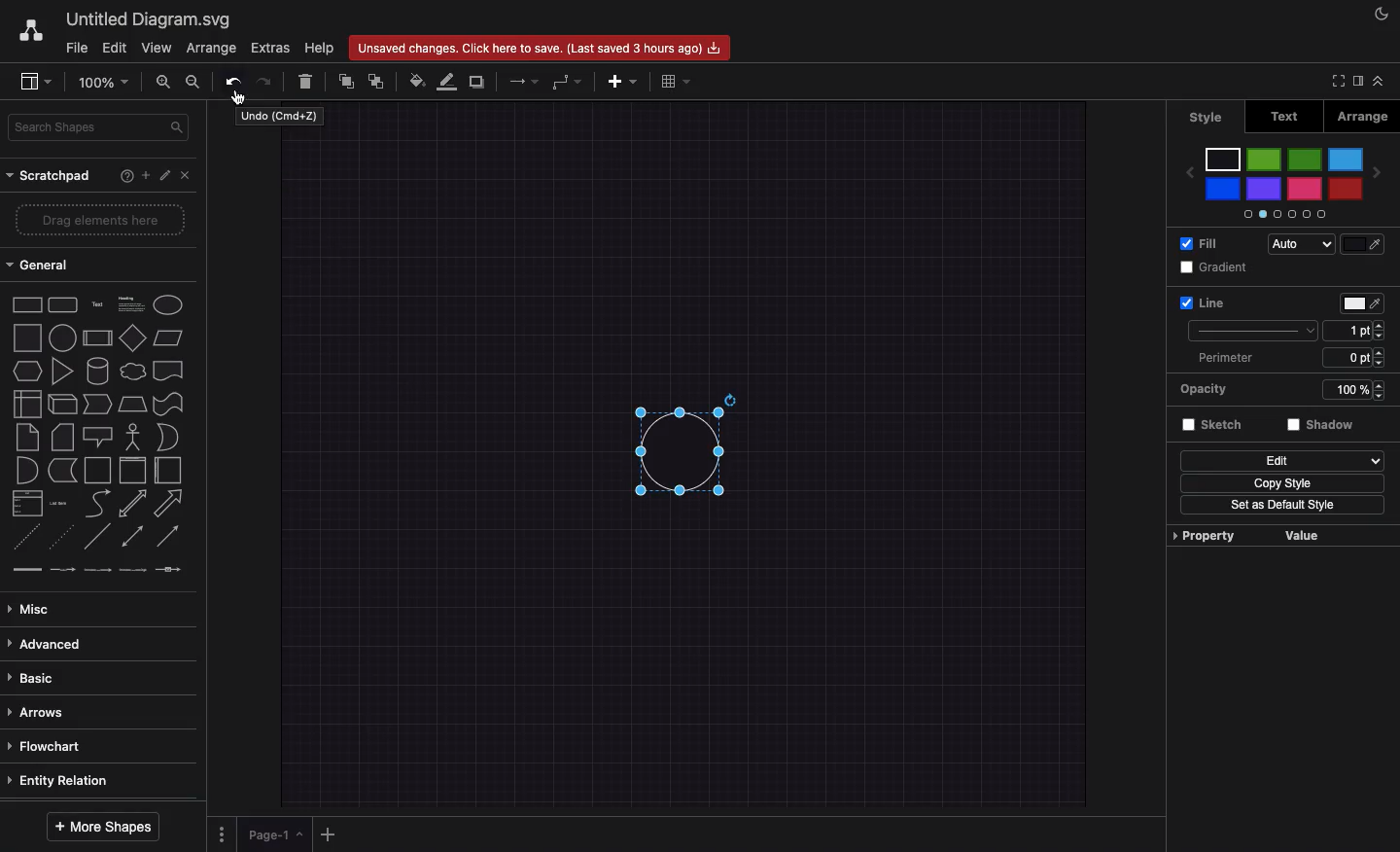 This screenshot has width=1400, height=852. What do you see at coordinates (1355, 331) in the screenshot?
I see `Size` at bounding box center [1355, 331].